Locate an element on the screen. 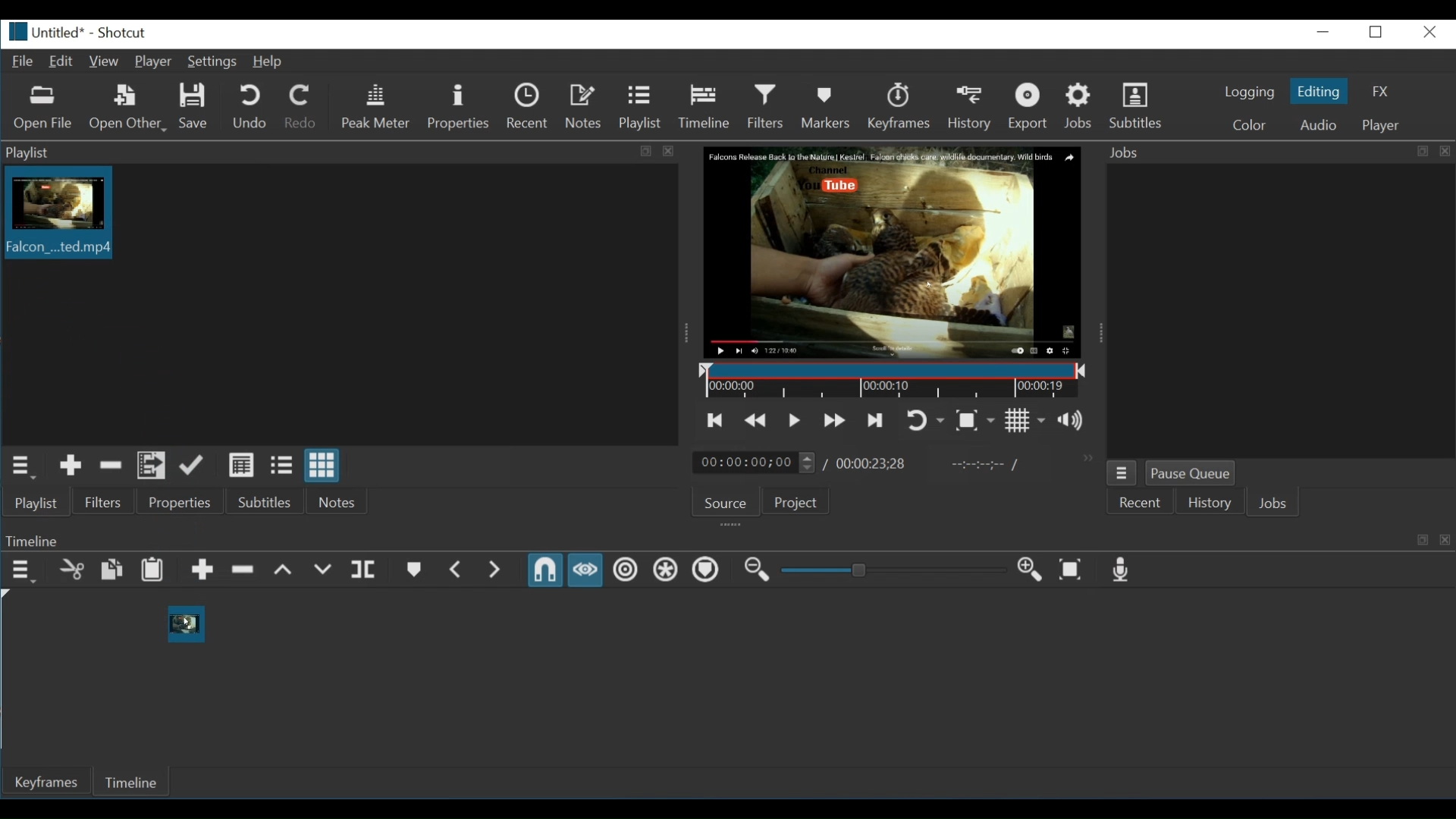 This screenshot has height=819, width=1456. Timeline is located at coordinates (137, 780).